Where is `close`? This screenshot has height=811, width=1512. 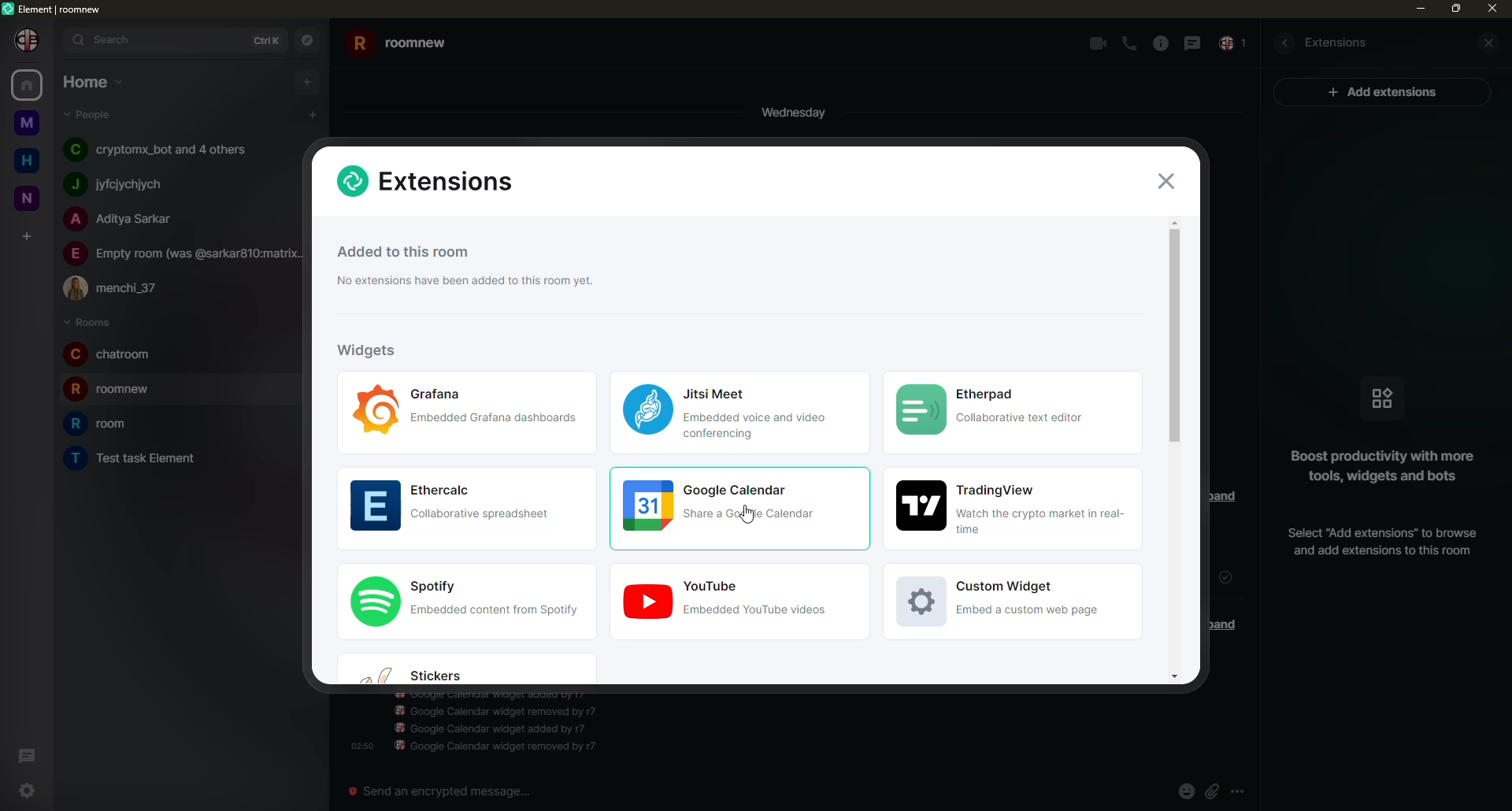 close is located at coordinates (1493, 11).